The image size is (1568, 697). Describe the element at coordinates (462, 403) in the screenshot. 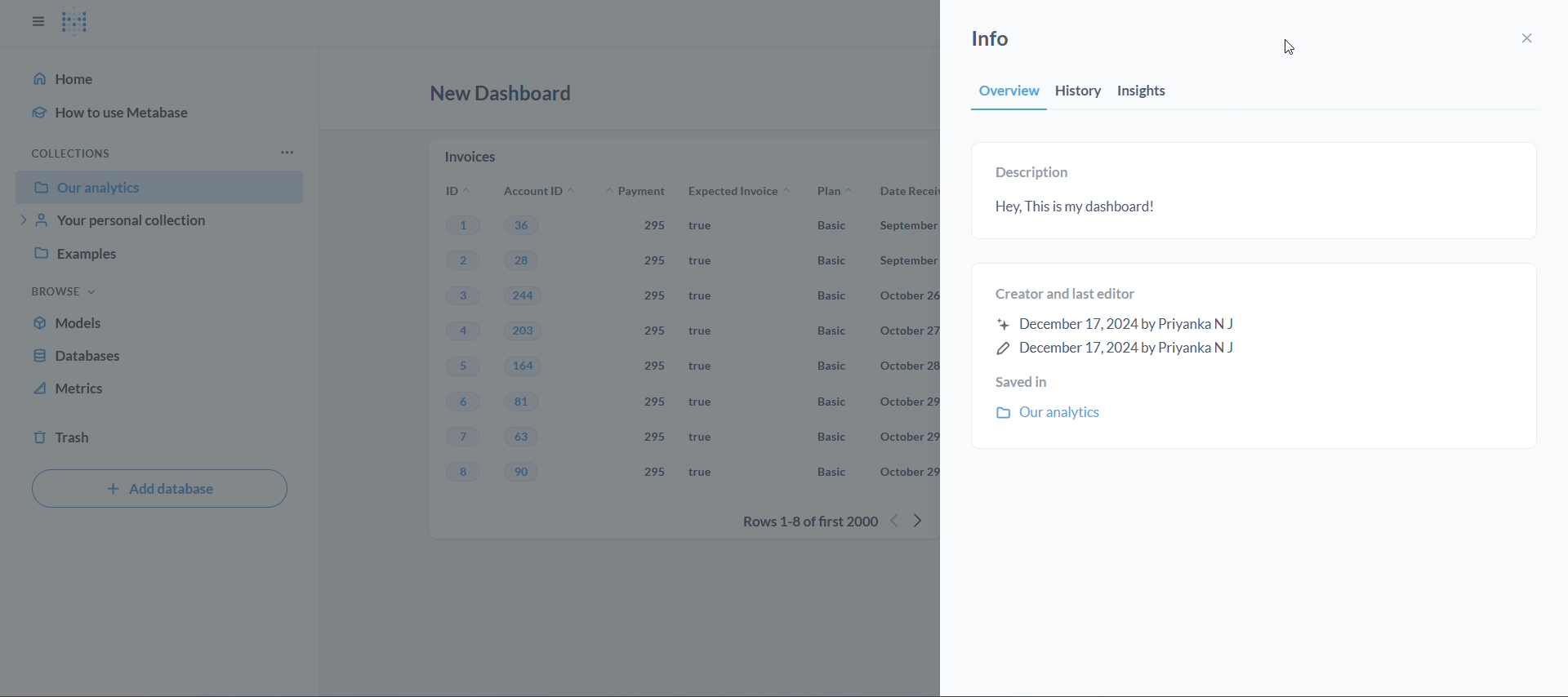

I see `6` at that location.